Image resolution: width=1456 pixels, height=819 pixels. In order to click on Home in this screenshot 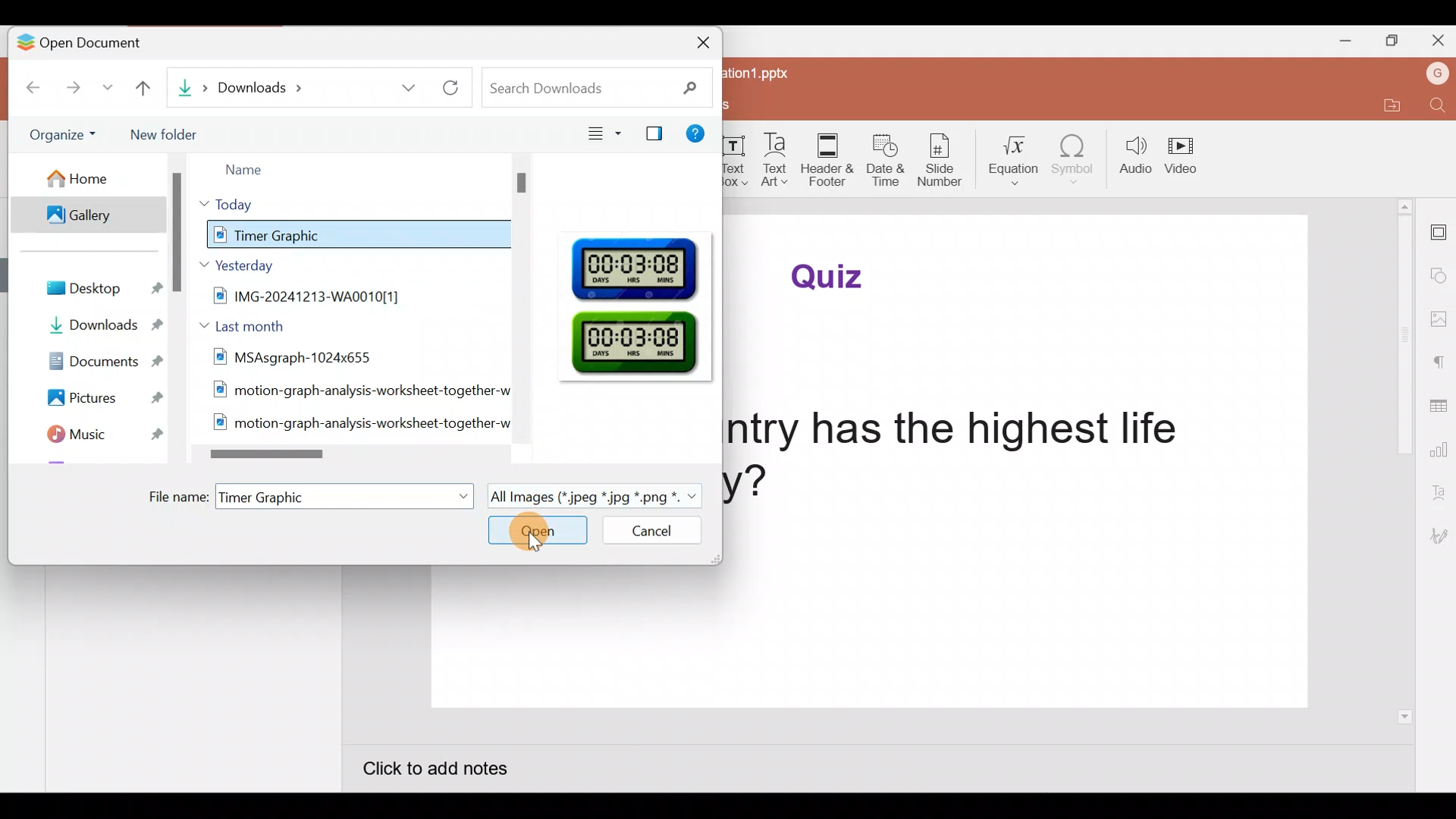, I will do `click(91, 174)`.